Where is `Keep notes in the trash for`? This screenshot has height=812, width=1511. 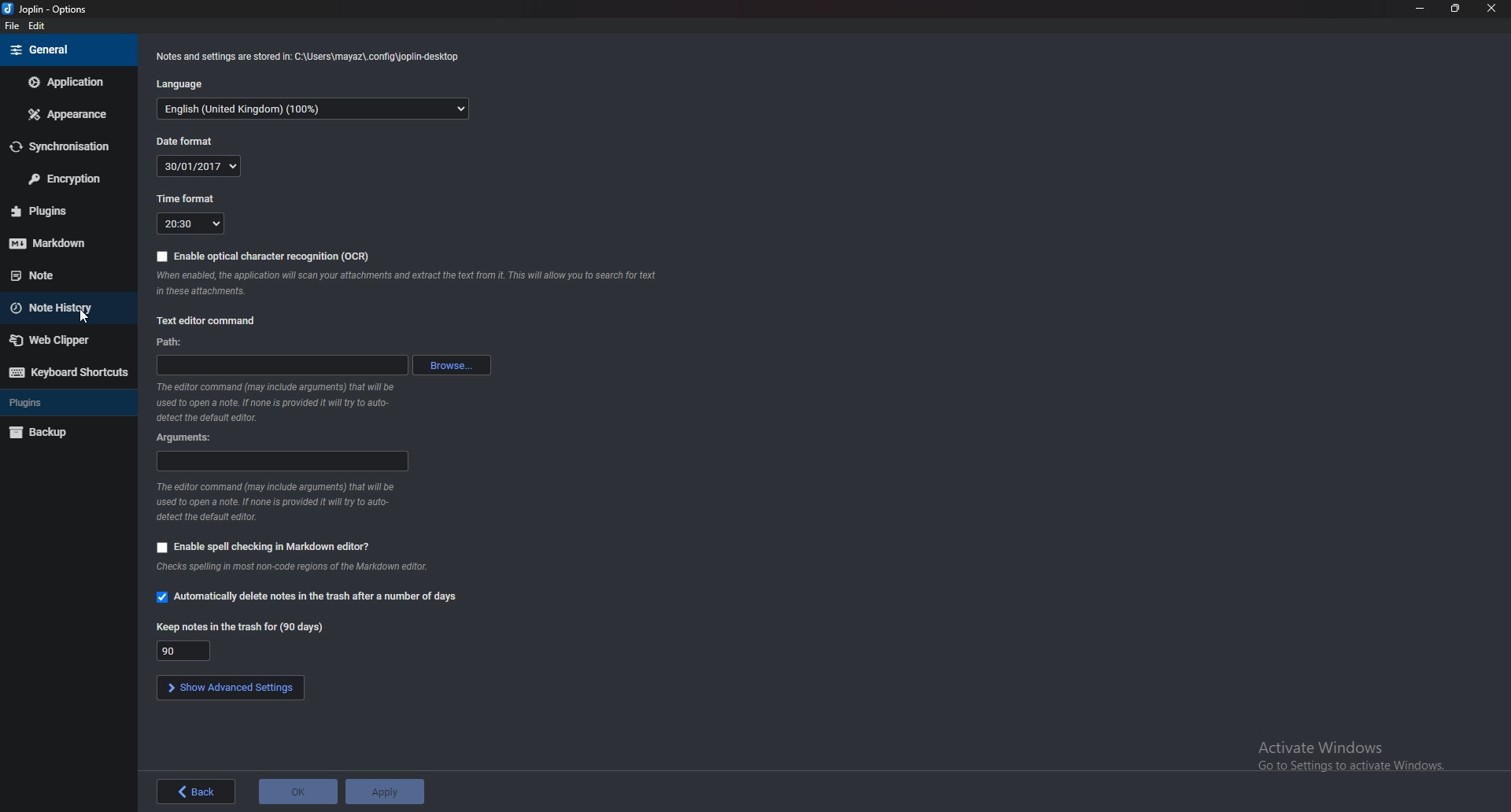 Keep notes in the trash for is located at coordinates (187, 650).